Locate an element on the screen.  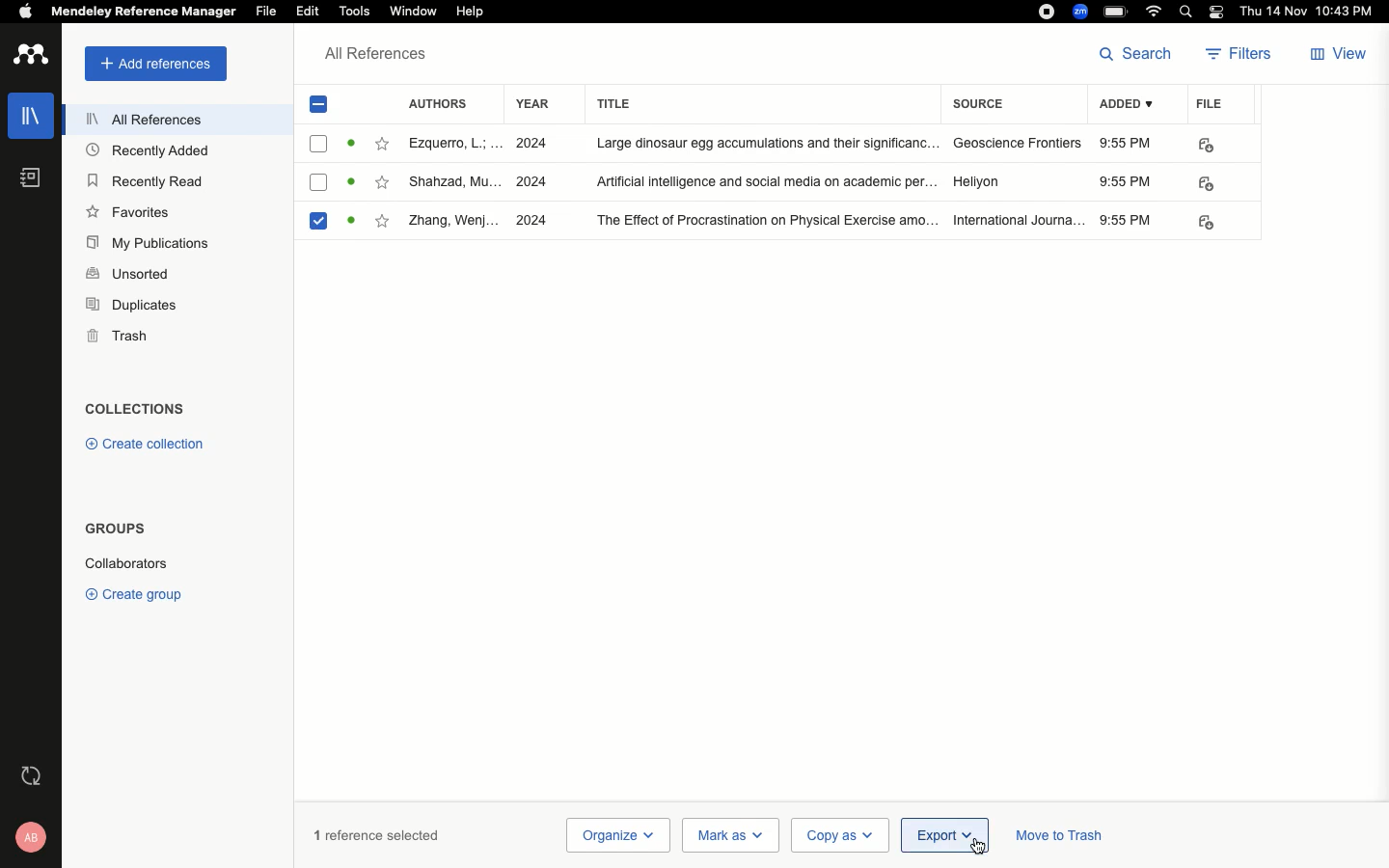
Geoscience frontiers is located at coordinates (1018, 144).